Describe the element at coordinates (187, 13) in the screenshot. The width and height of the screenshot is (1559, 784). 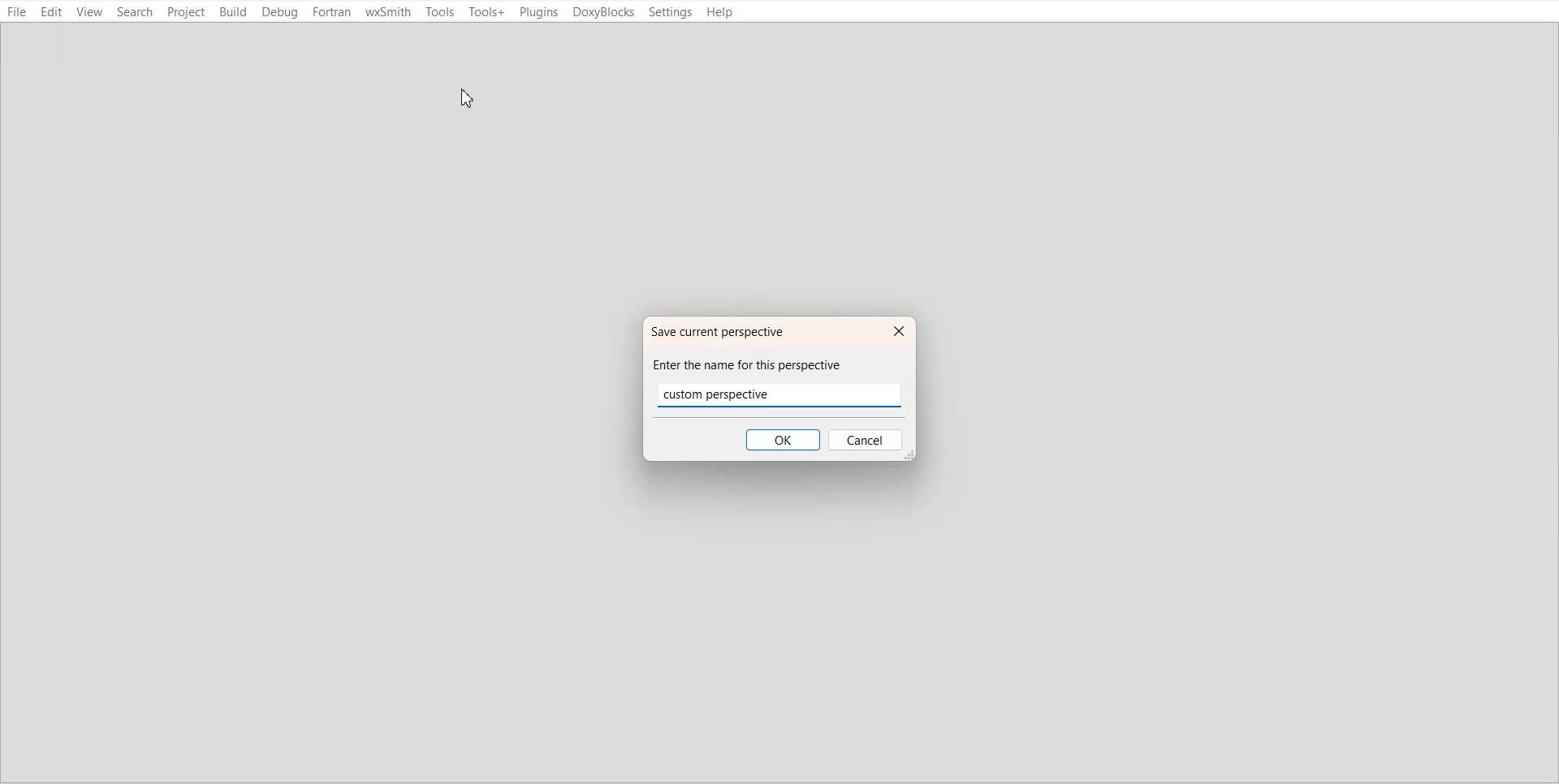
I see `Project` at that location.